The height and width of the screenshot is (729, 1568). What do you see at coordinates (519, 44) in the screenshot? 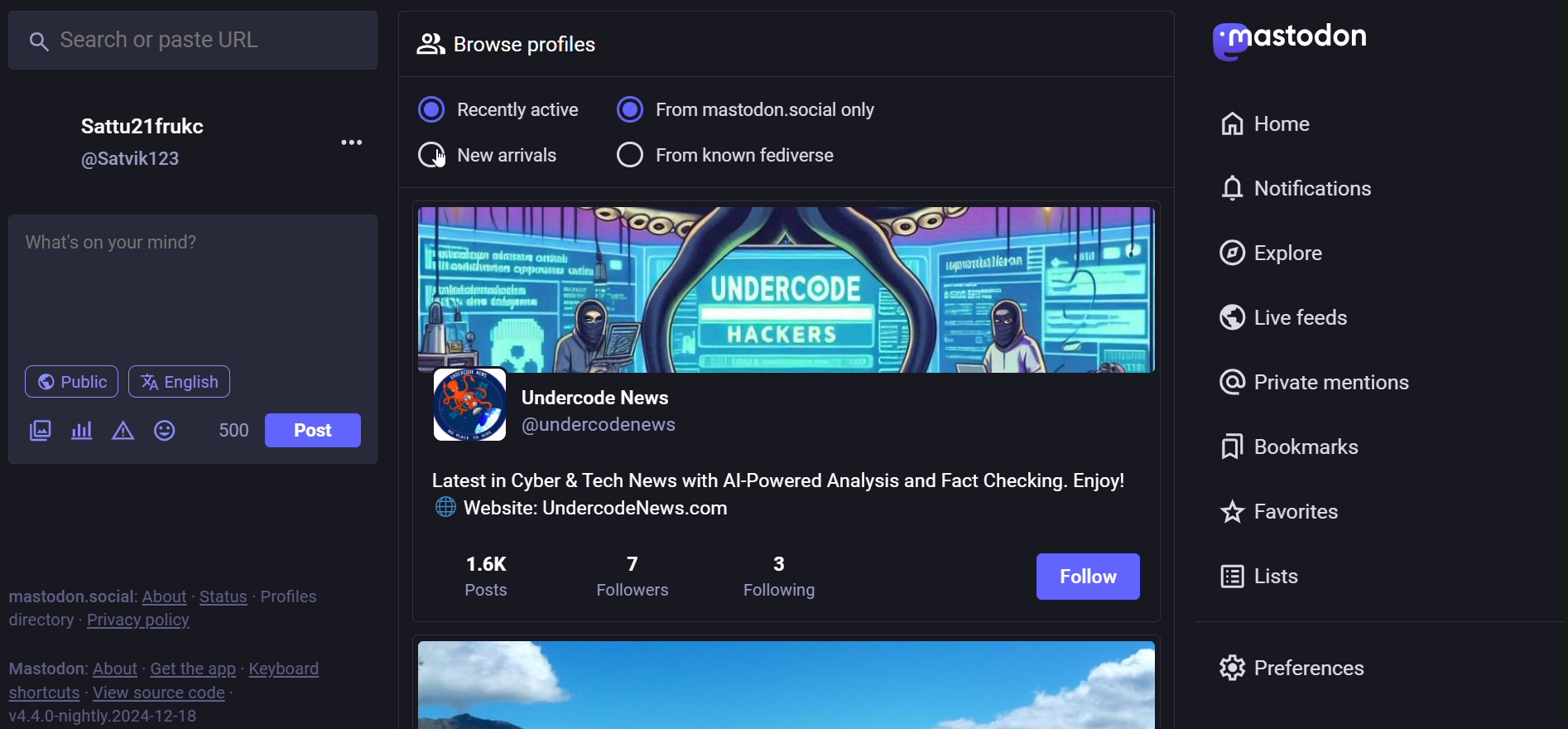
I see `browse profiles` at bounding box center [519, 44].